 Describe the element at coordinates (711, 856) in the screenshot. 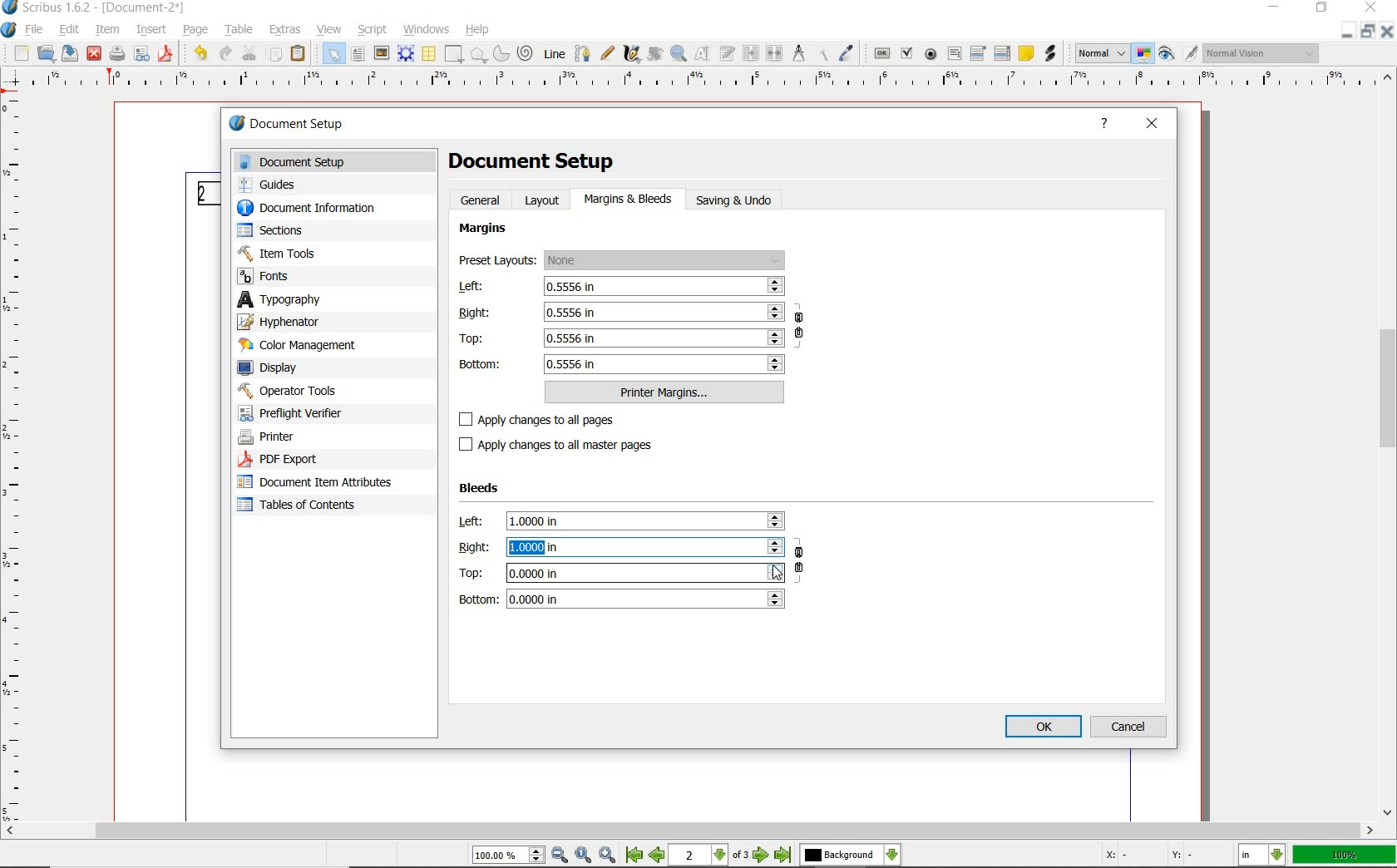

I see `2 of 3` at that location.